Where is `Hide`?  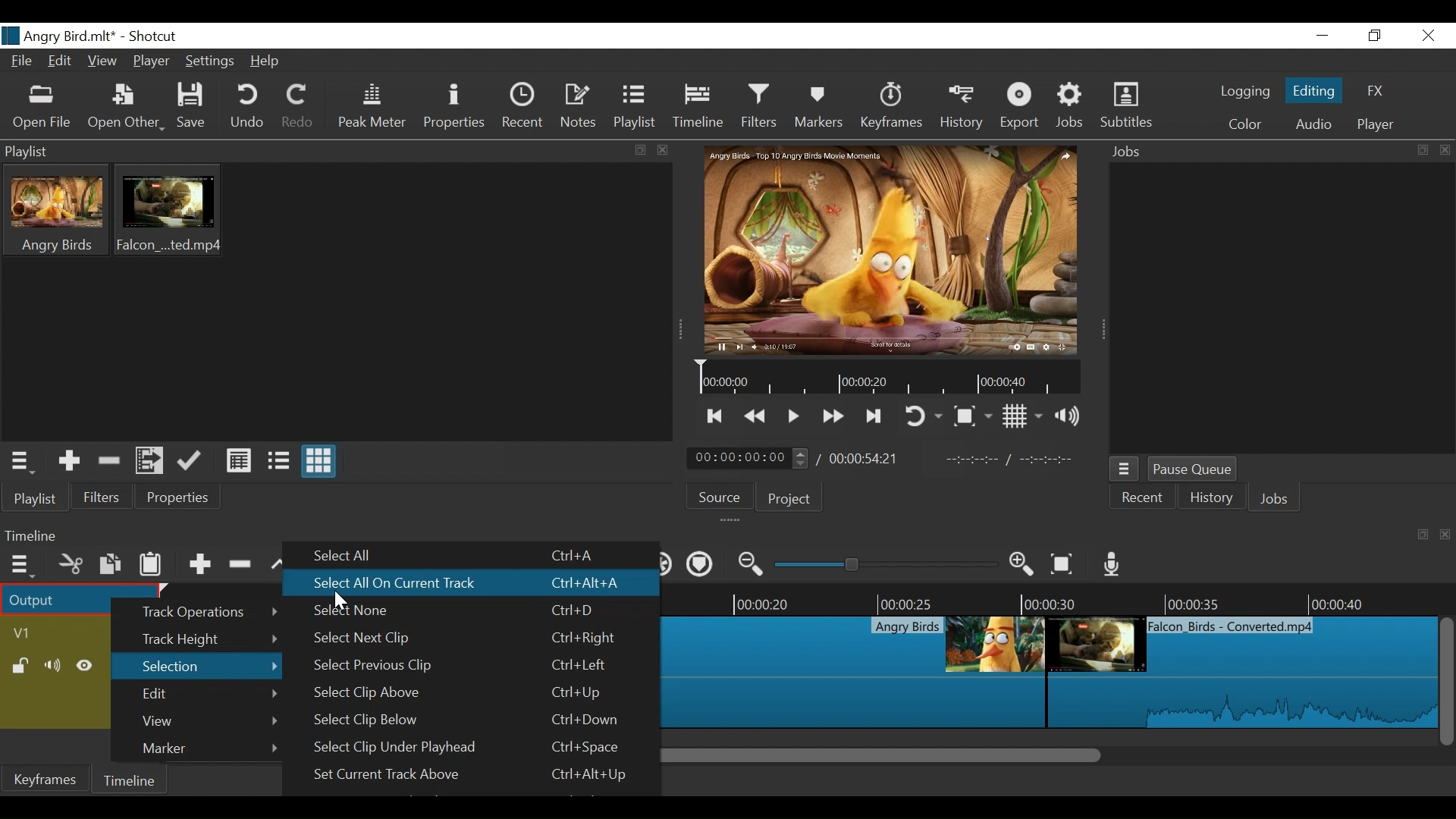 Hide is located at coordinates (84, 665).